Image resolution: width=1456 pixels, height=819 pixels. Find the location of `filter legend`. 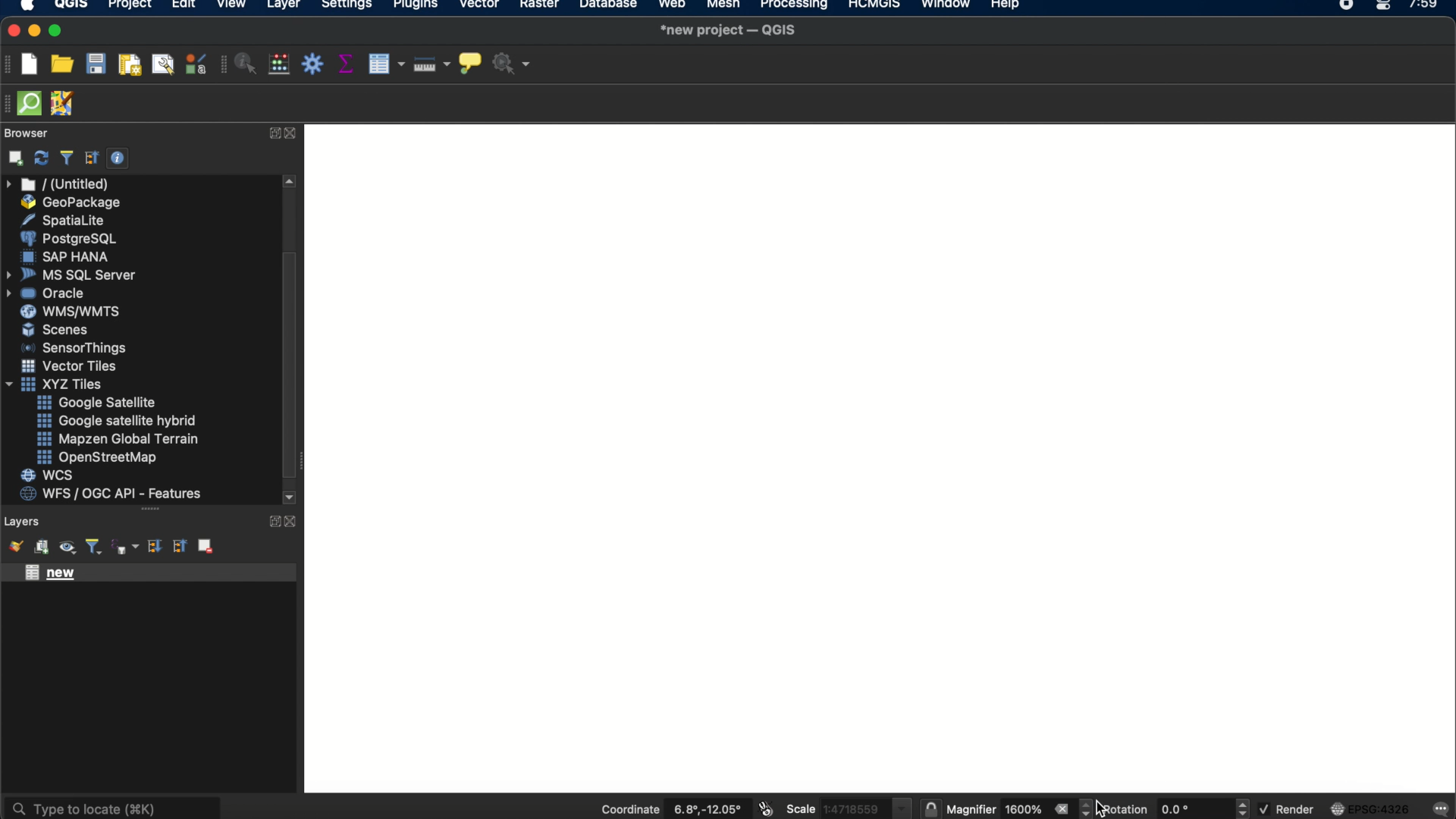

filter legend is located at coordinates (93, 548).